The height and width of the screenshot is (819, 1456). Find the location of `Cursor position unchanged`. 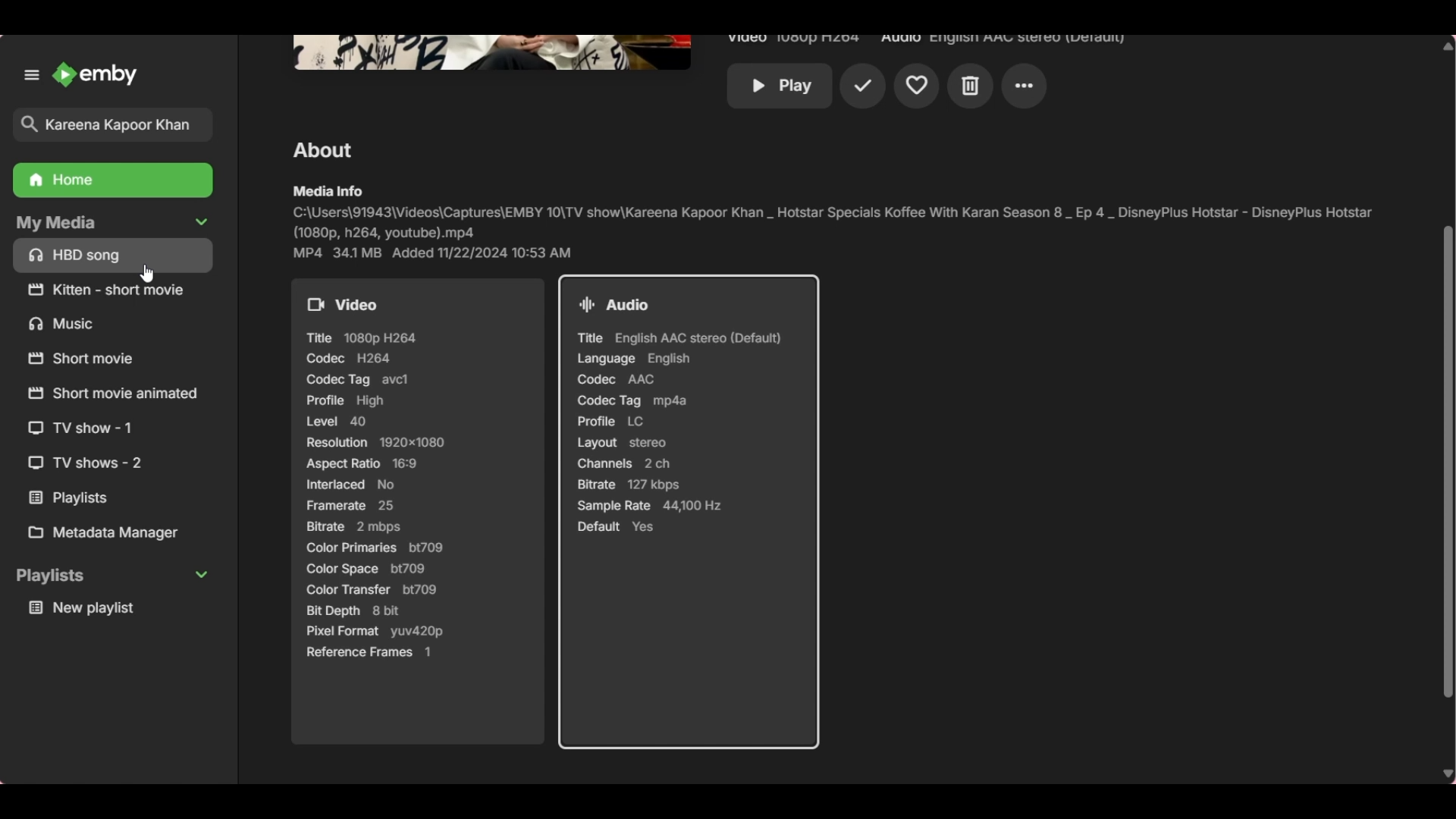

Cursor position unchanged is located at coordinates (148, 273).